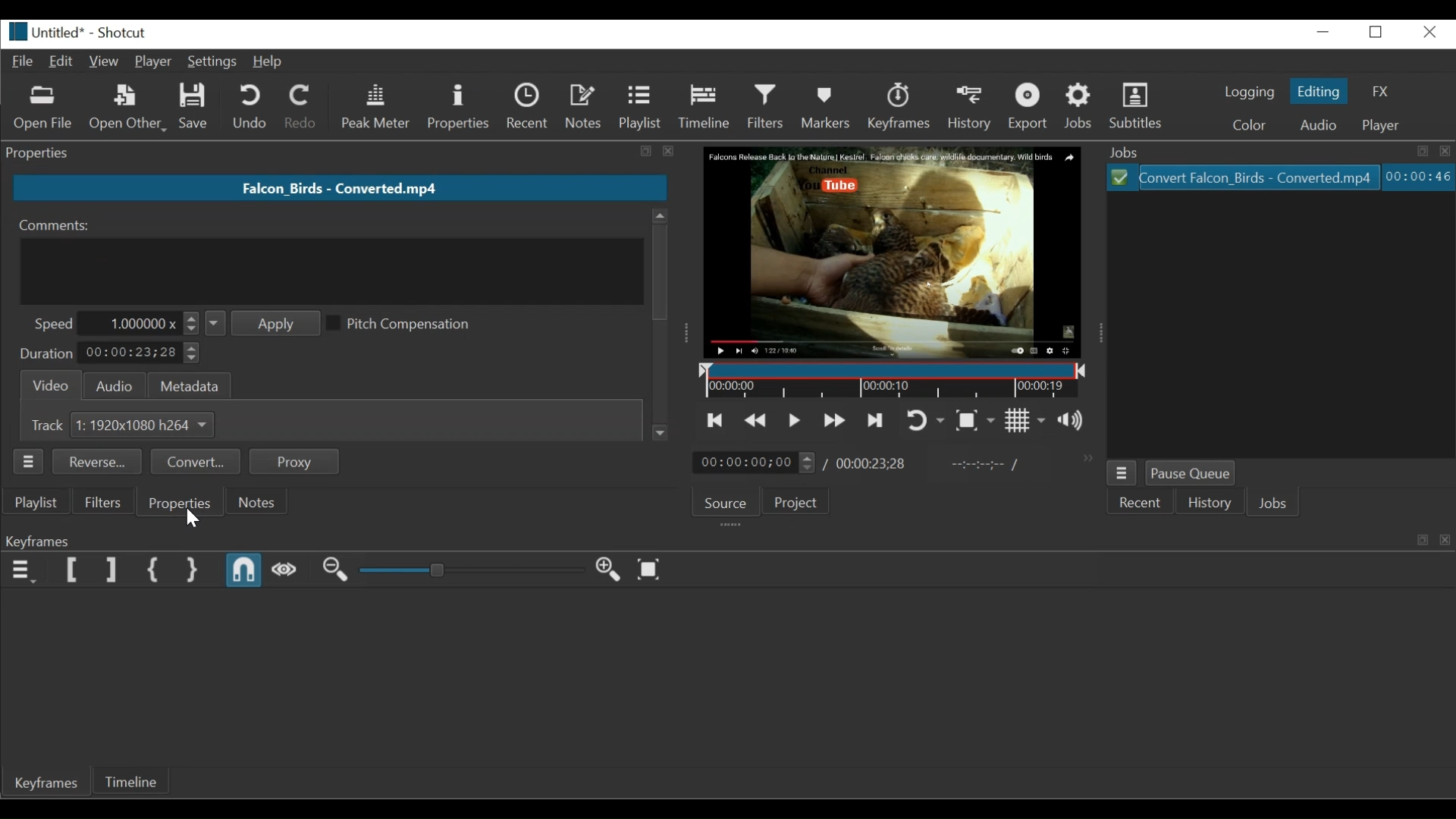 The image size is (1456, 819). Describe the element at coordinates (256, 502) in the screenshot. I see `Notes` at that location.